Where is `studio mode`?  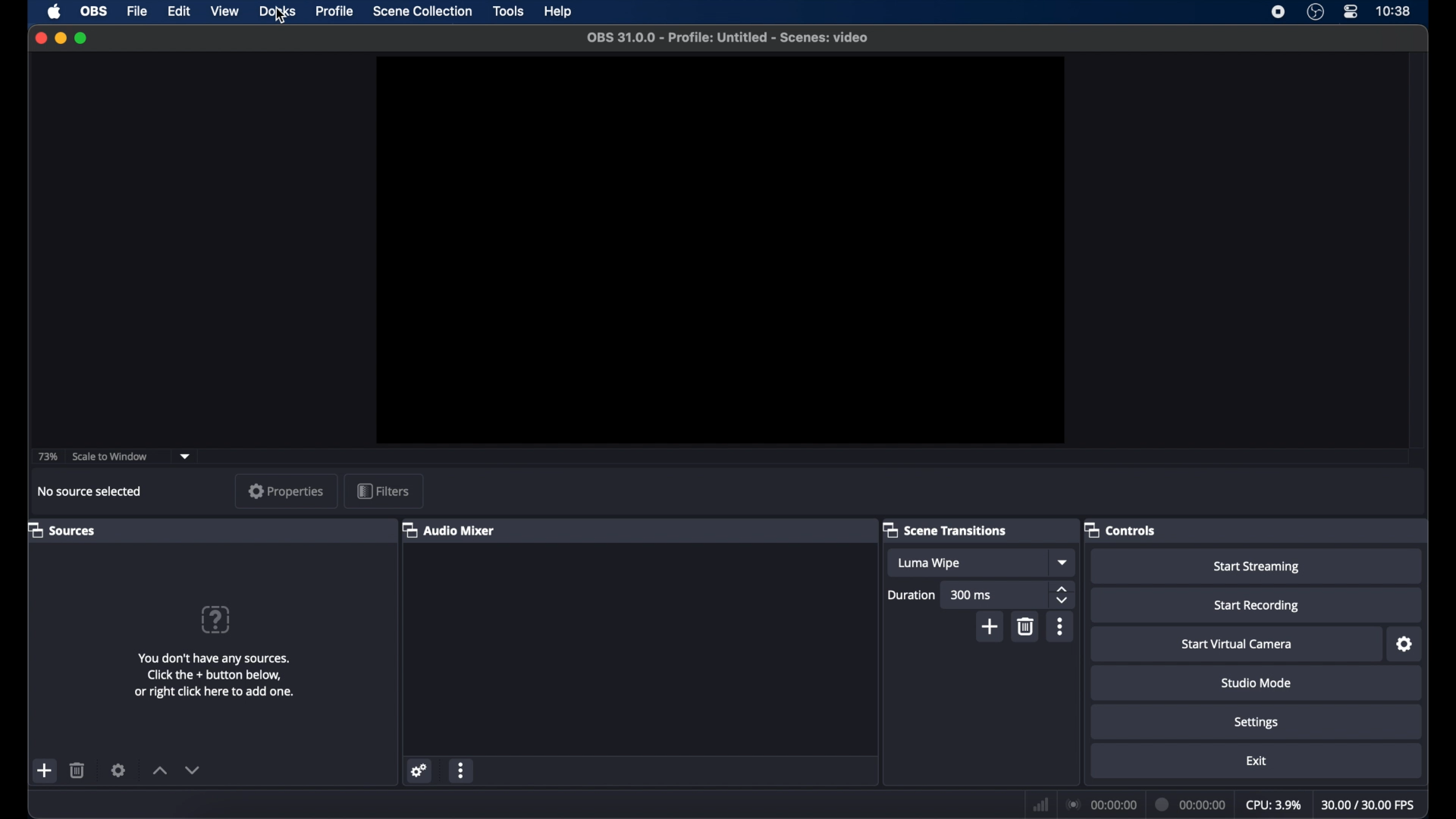
studio mode is located at coordinates (1256, 682).